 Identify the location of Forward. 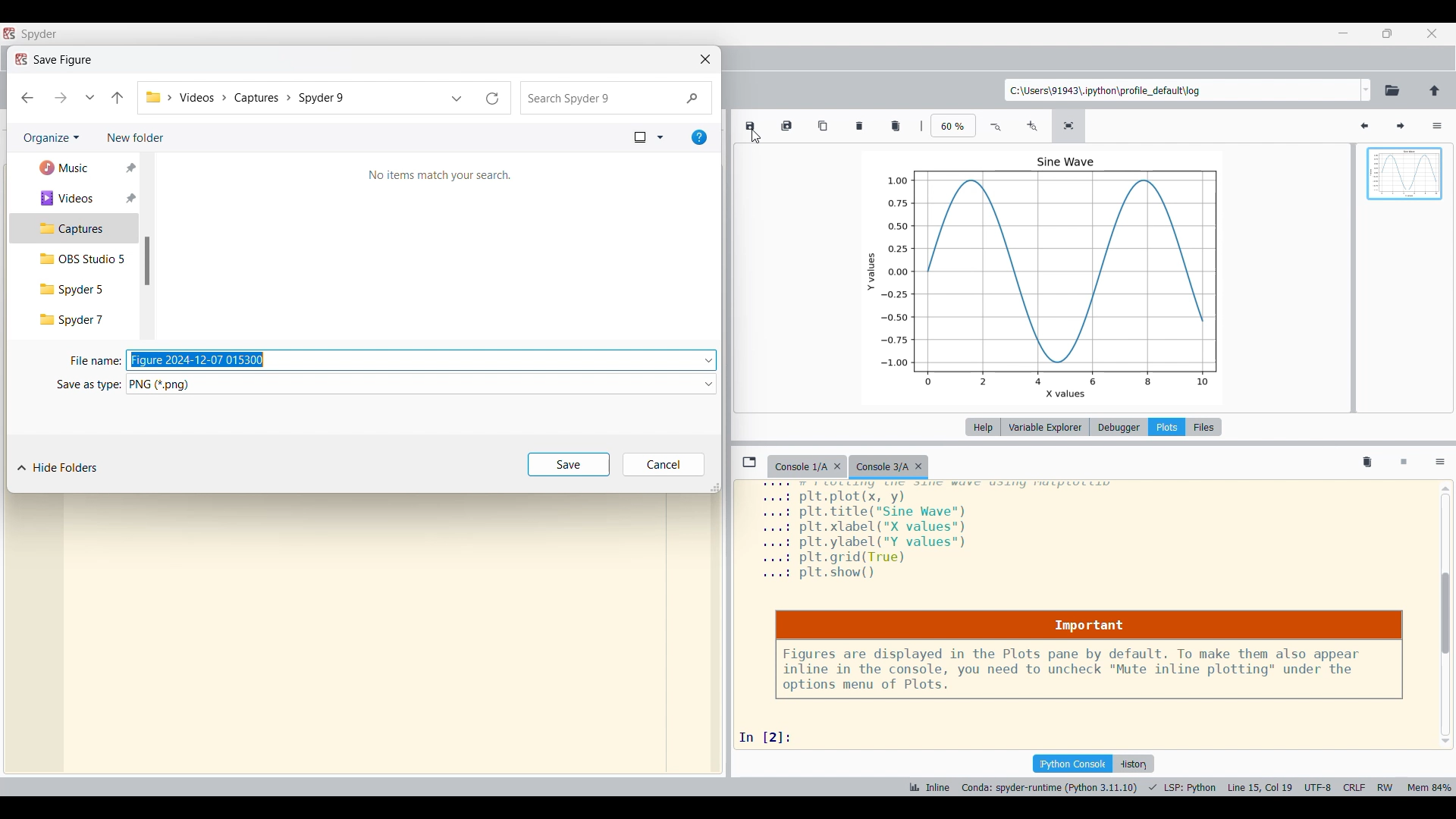
(61, 99).